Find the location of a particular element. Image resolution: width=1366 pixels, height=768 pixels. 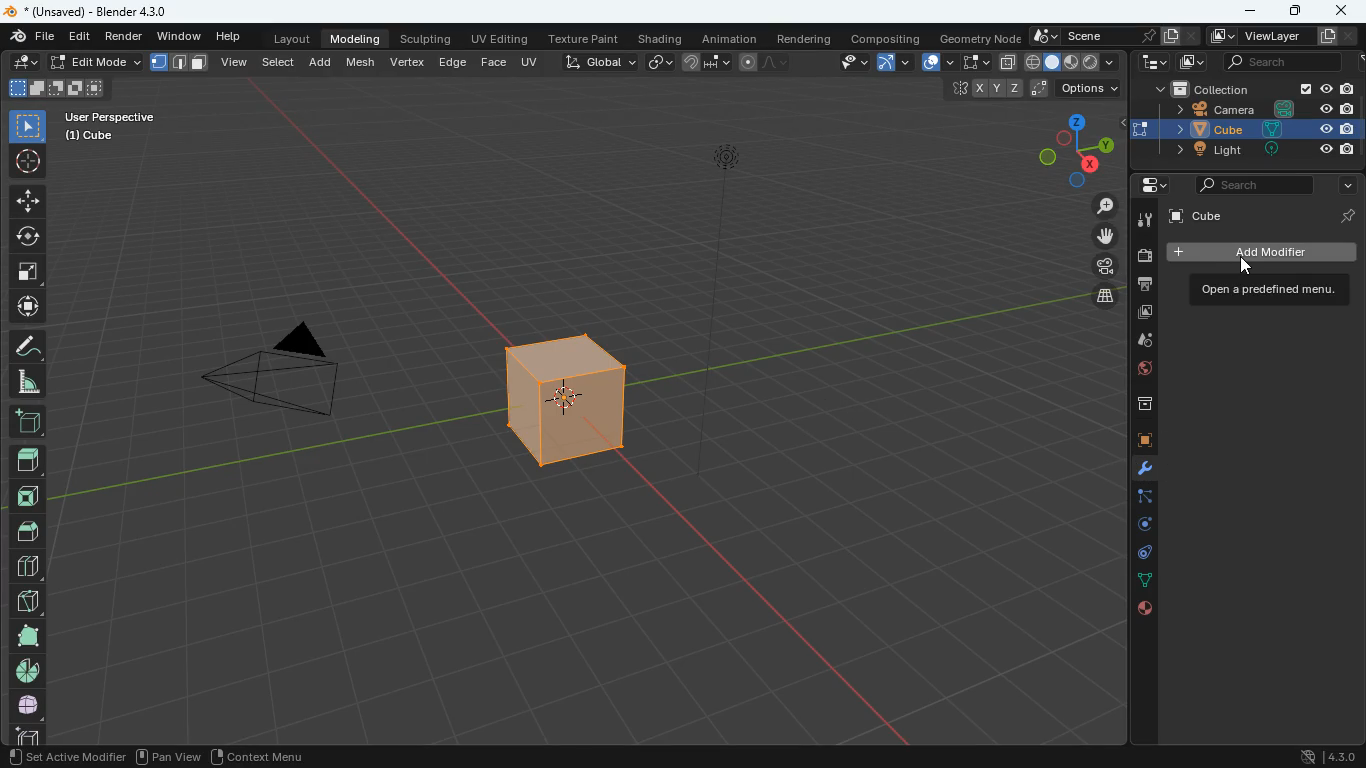

add modifier is located at coordinates (1258, 252).